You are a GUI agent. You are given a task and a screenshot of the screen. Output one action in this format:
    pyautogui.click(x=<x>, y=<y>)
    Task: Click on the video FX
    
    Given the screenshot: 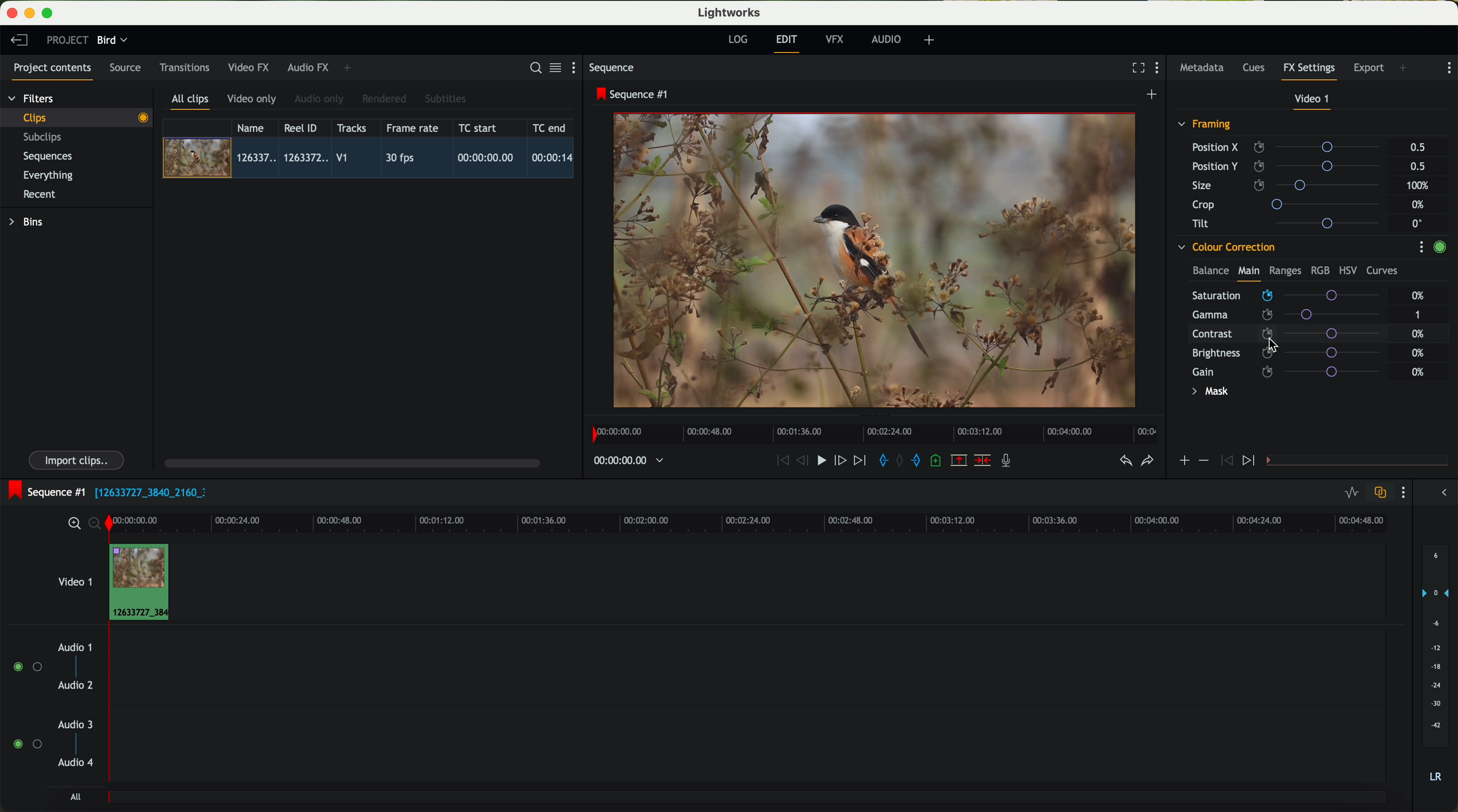 What is the action you would take?
    pyautogui.click(x=251, y=67)
    